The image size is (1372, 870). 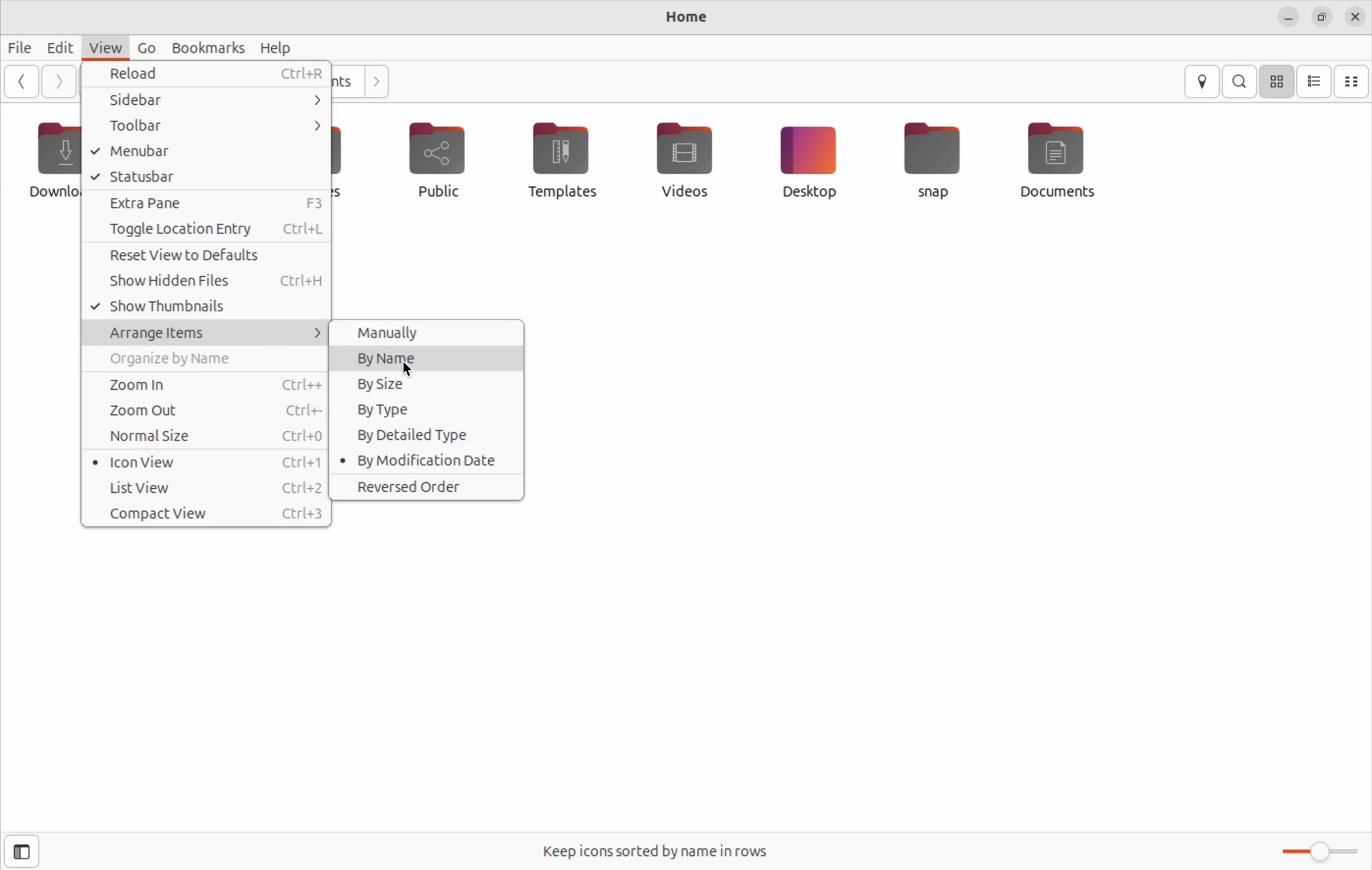 I want to click on desktop, so click(x=807, y=161).